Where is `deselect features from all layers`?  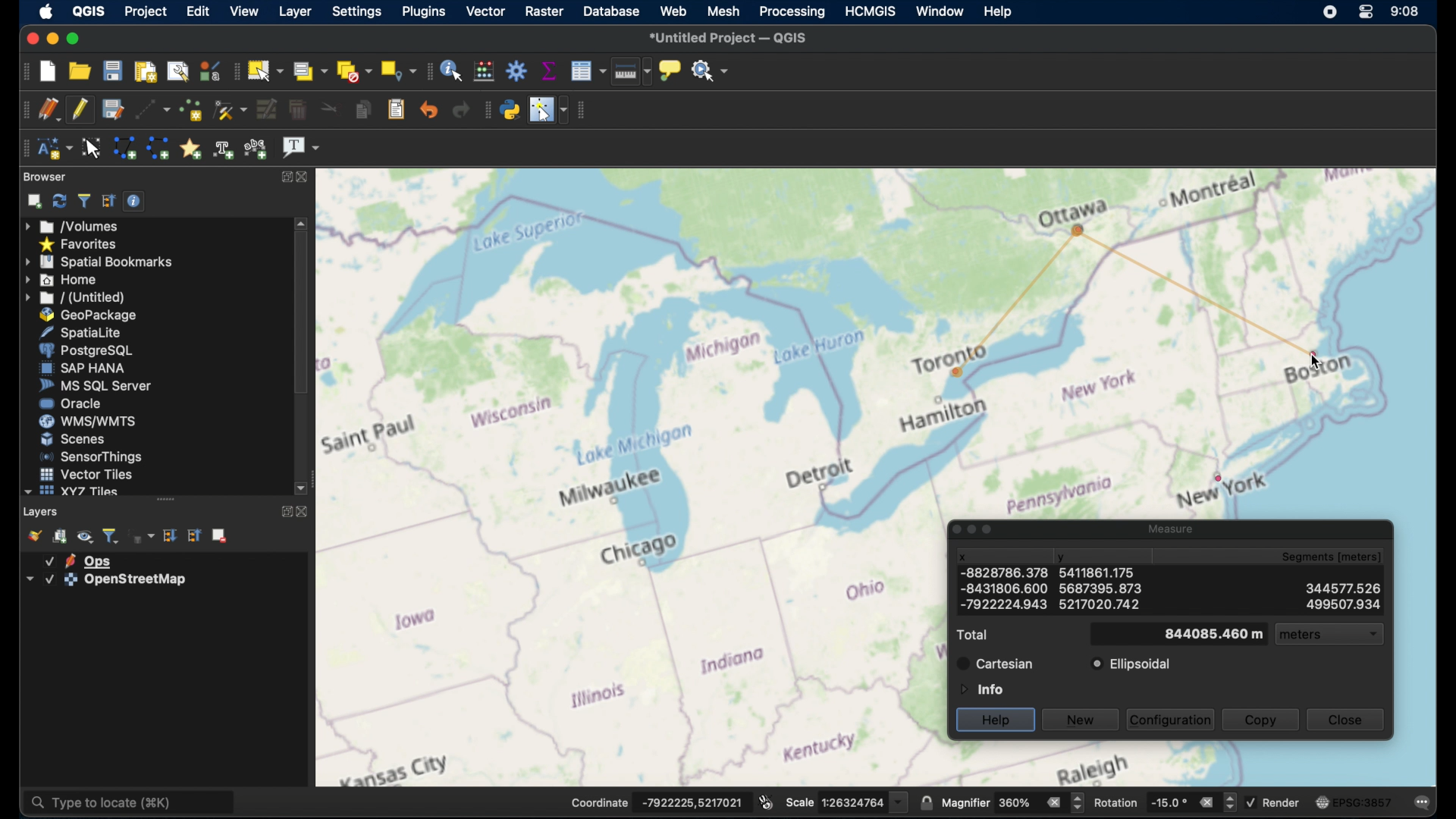 deselect features from all layers is located at coordinates (353, 71).